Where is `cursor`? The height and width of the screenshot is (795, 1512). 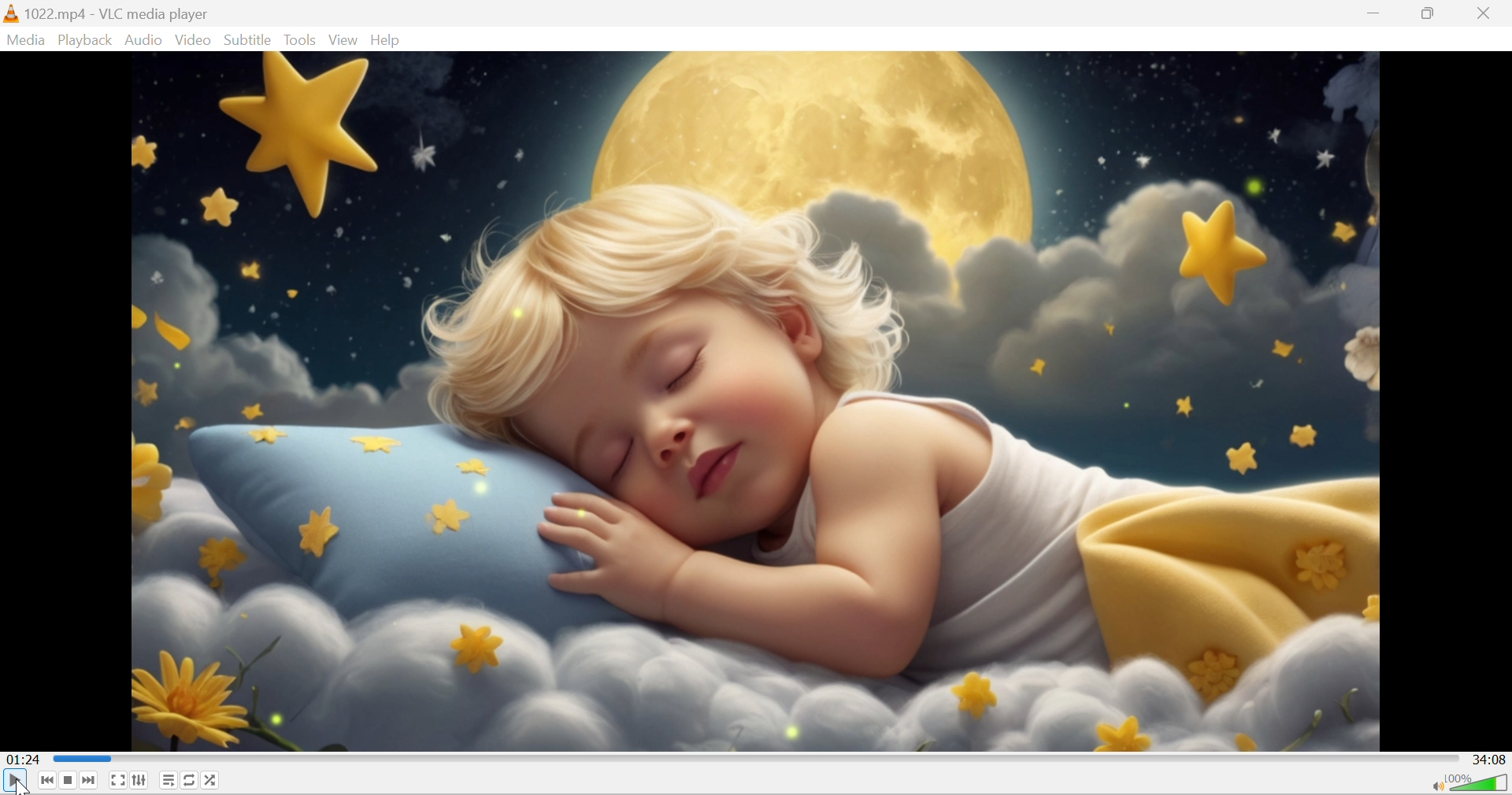 cursor is located at coordinates (23, 786).